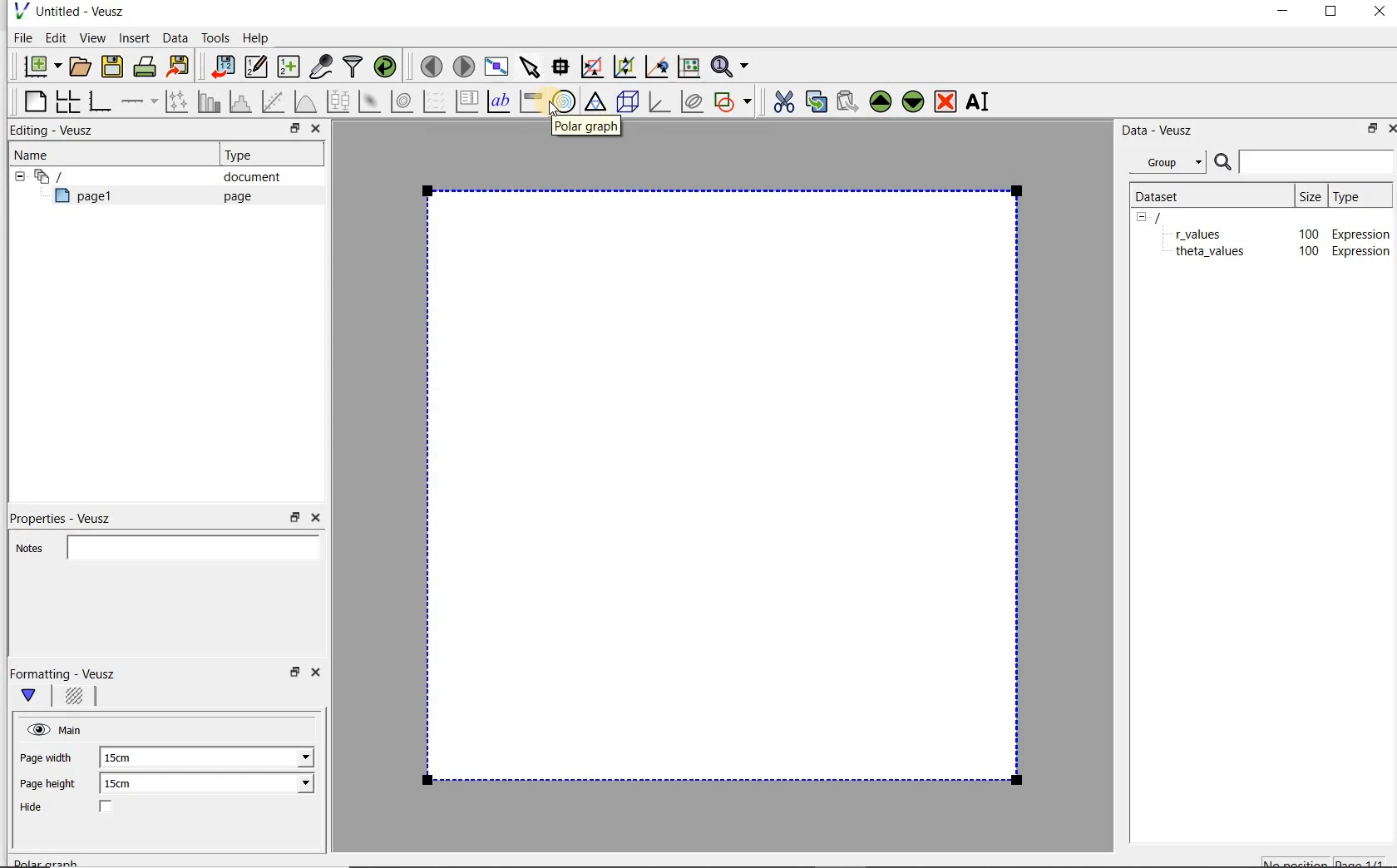  What do you see at coordinates (1378, 14) in the screenshot?
I see `Close` at bounding box center [1378, 14].